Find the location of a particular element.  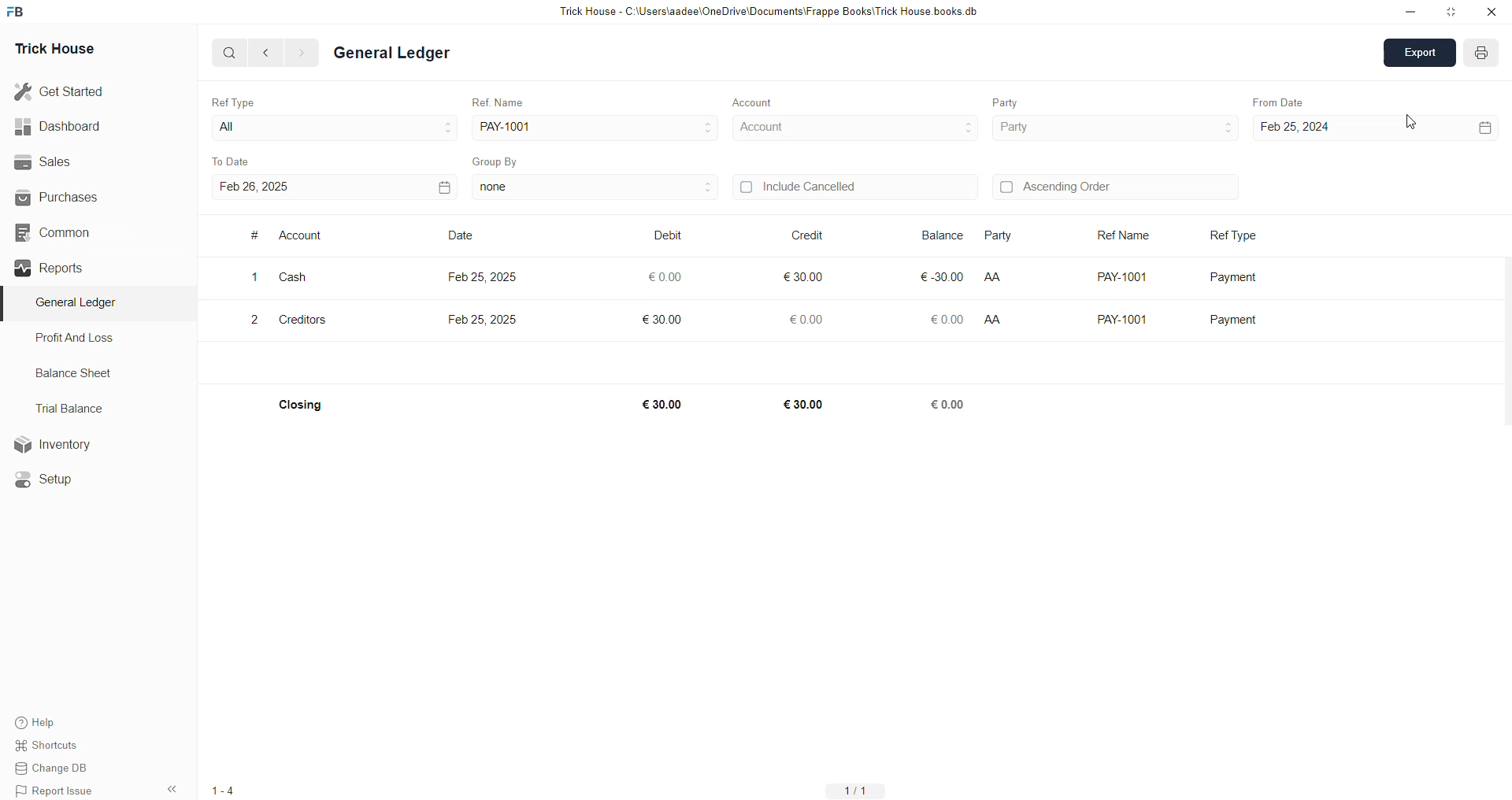

> is located at coordinates (301, 53).